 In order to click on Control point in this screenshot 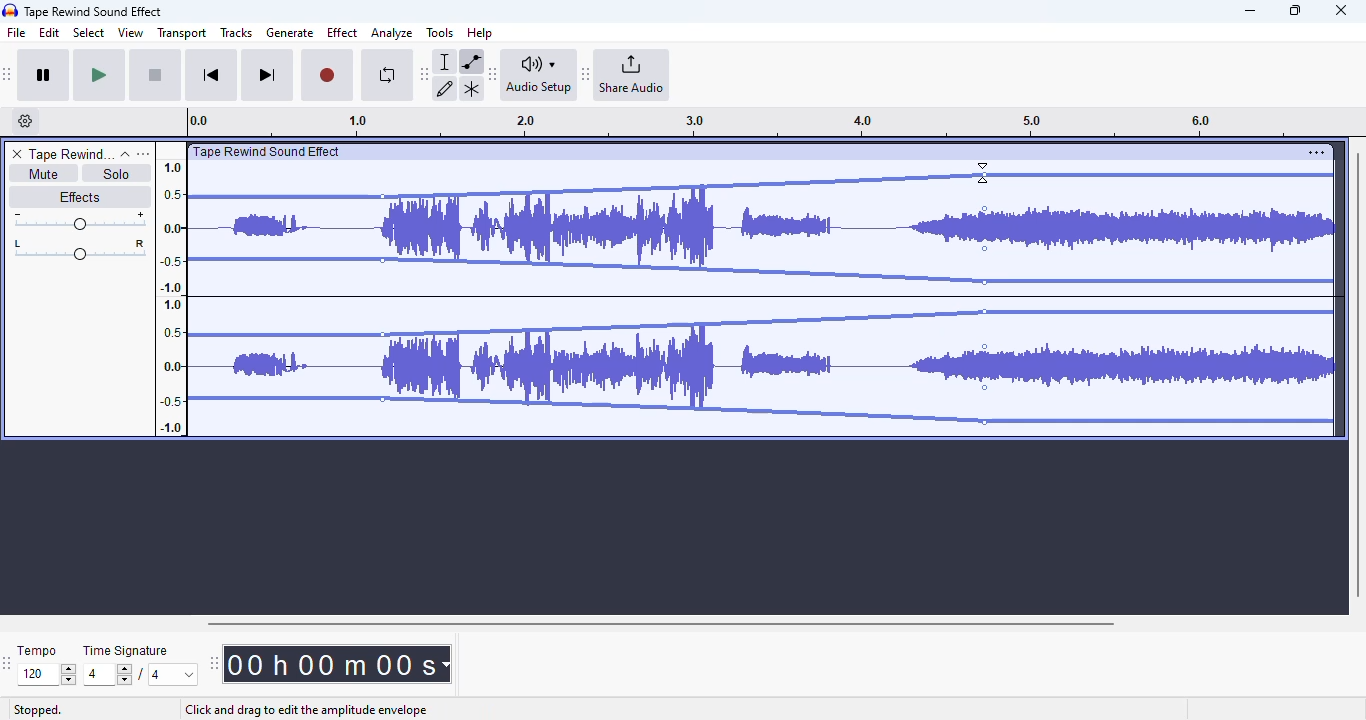, I will do `click(985, 388)`.